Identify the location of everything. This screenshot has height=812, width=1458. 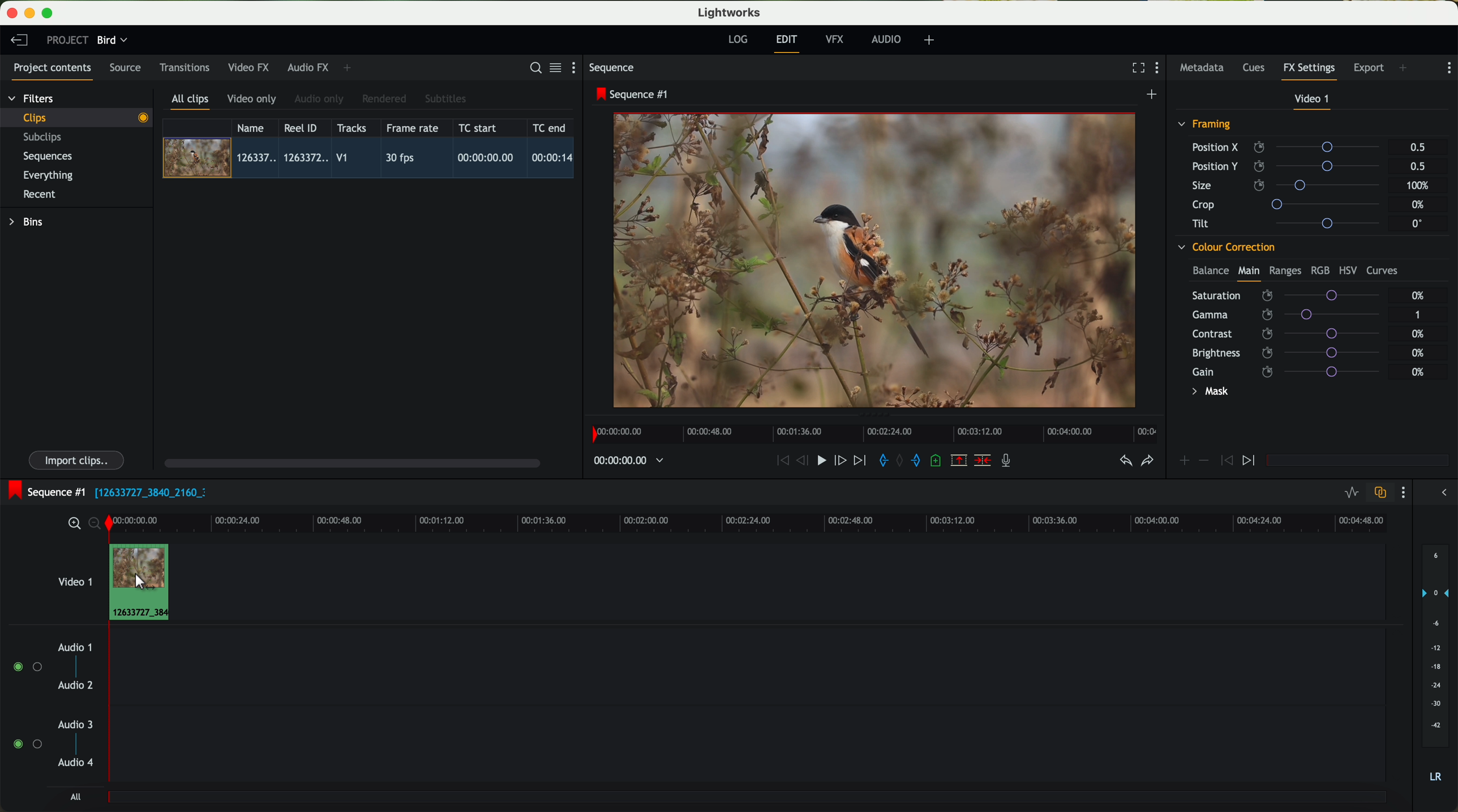
(49, 175).